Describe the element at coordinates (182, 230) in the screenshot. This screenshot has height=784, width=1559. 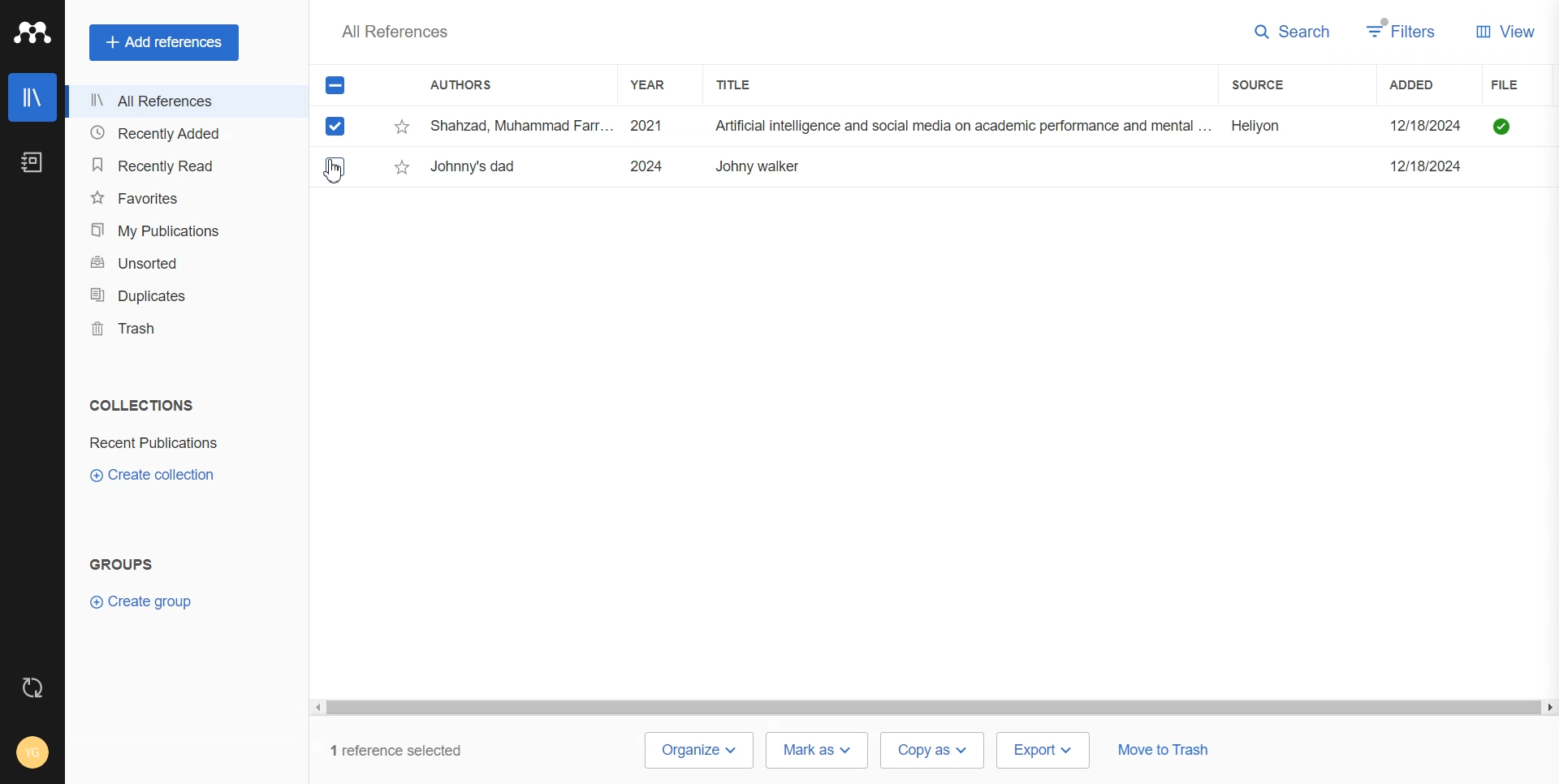
I see `My Publication` at that location.